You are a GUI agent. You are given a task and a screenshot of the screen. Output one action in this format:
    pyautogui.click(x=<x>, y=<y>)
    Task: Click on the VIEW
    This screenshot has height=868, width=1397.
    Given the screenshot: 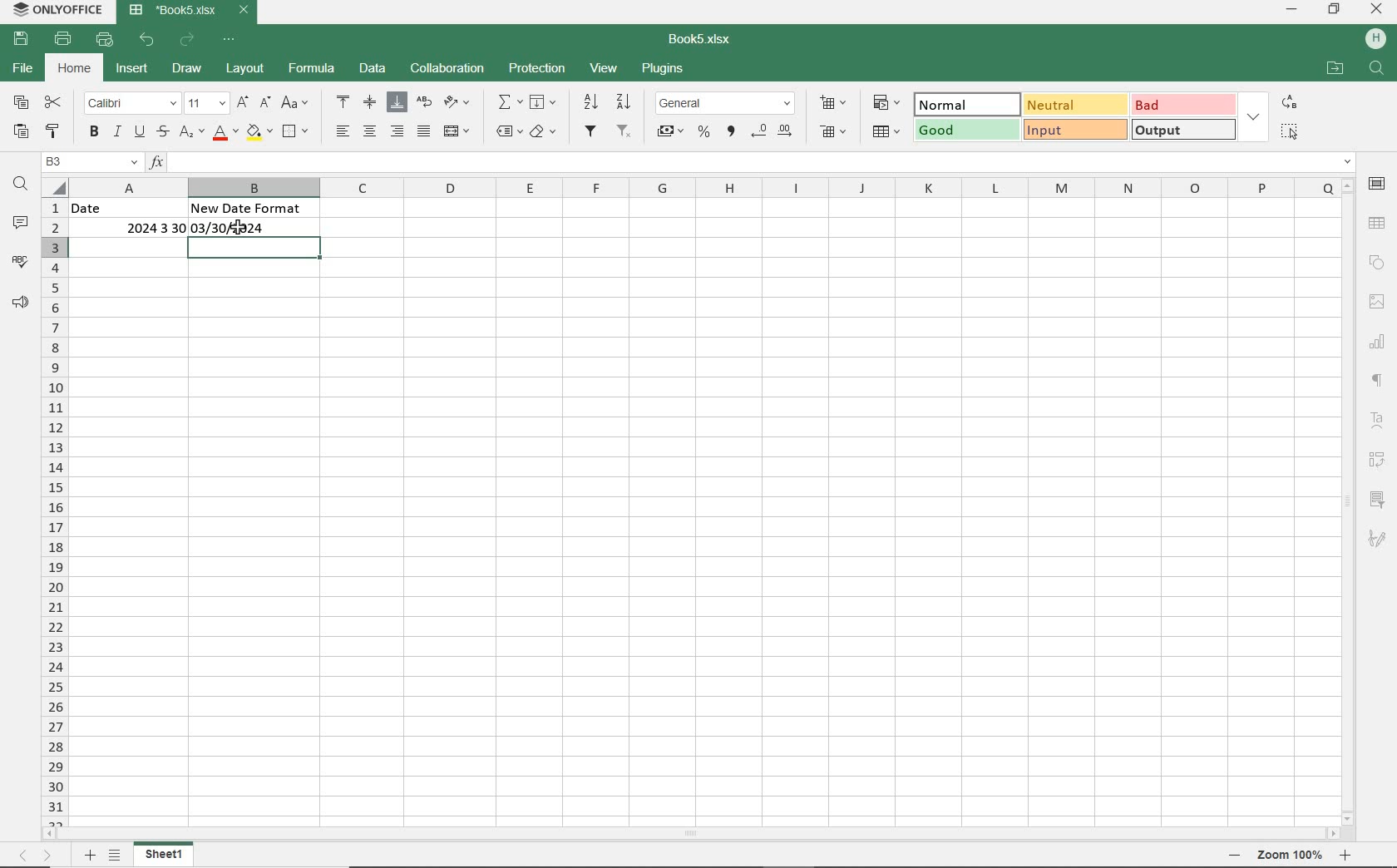 What is the action you would take?
    pyautogui.click(x=604, y=68)
    